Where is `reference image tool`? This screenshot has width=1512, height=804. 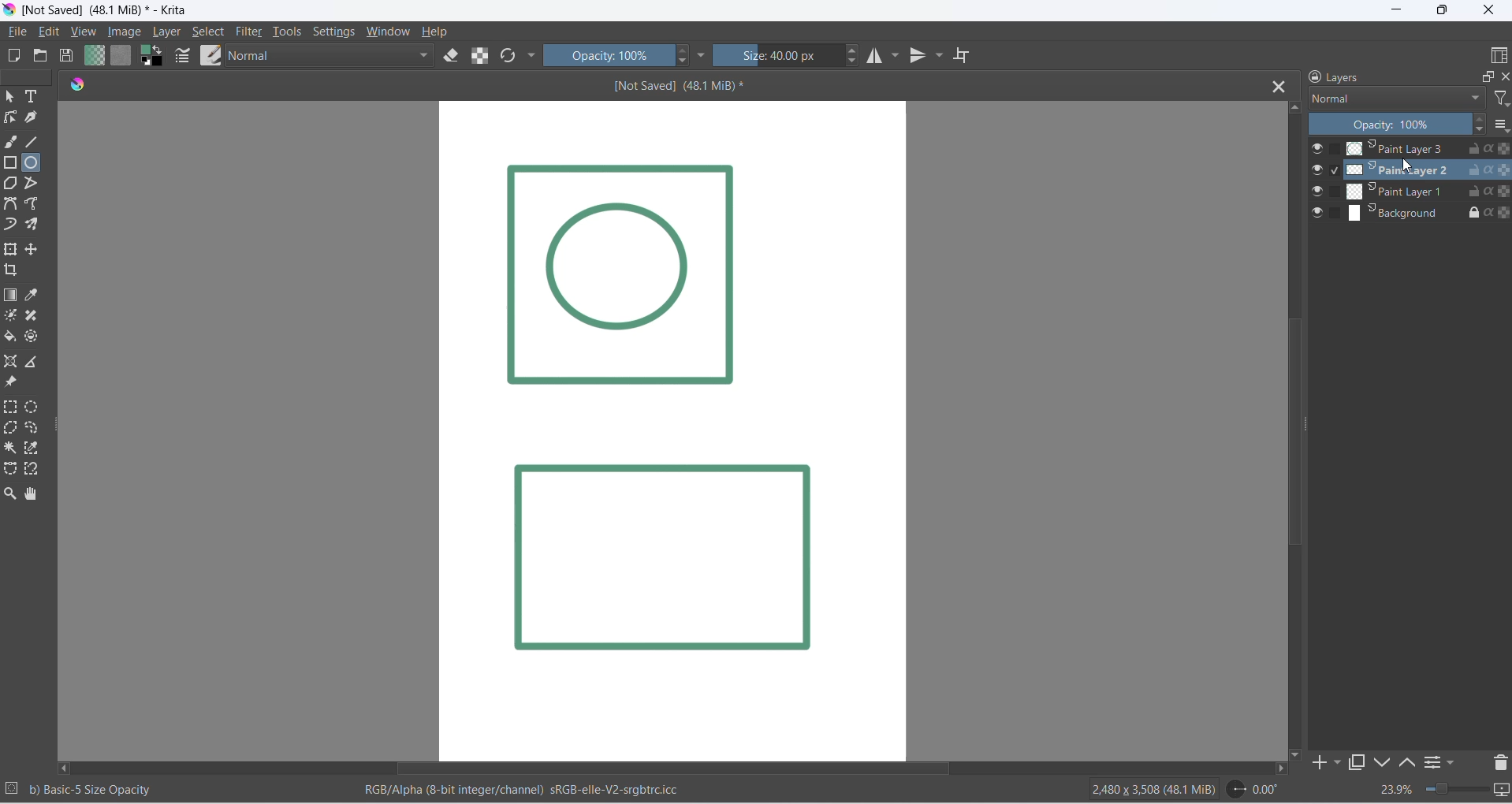 reference image tool is located at coordinates (13, 384).